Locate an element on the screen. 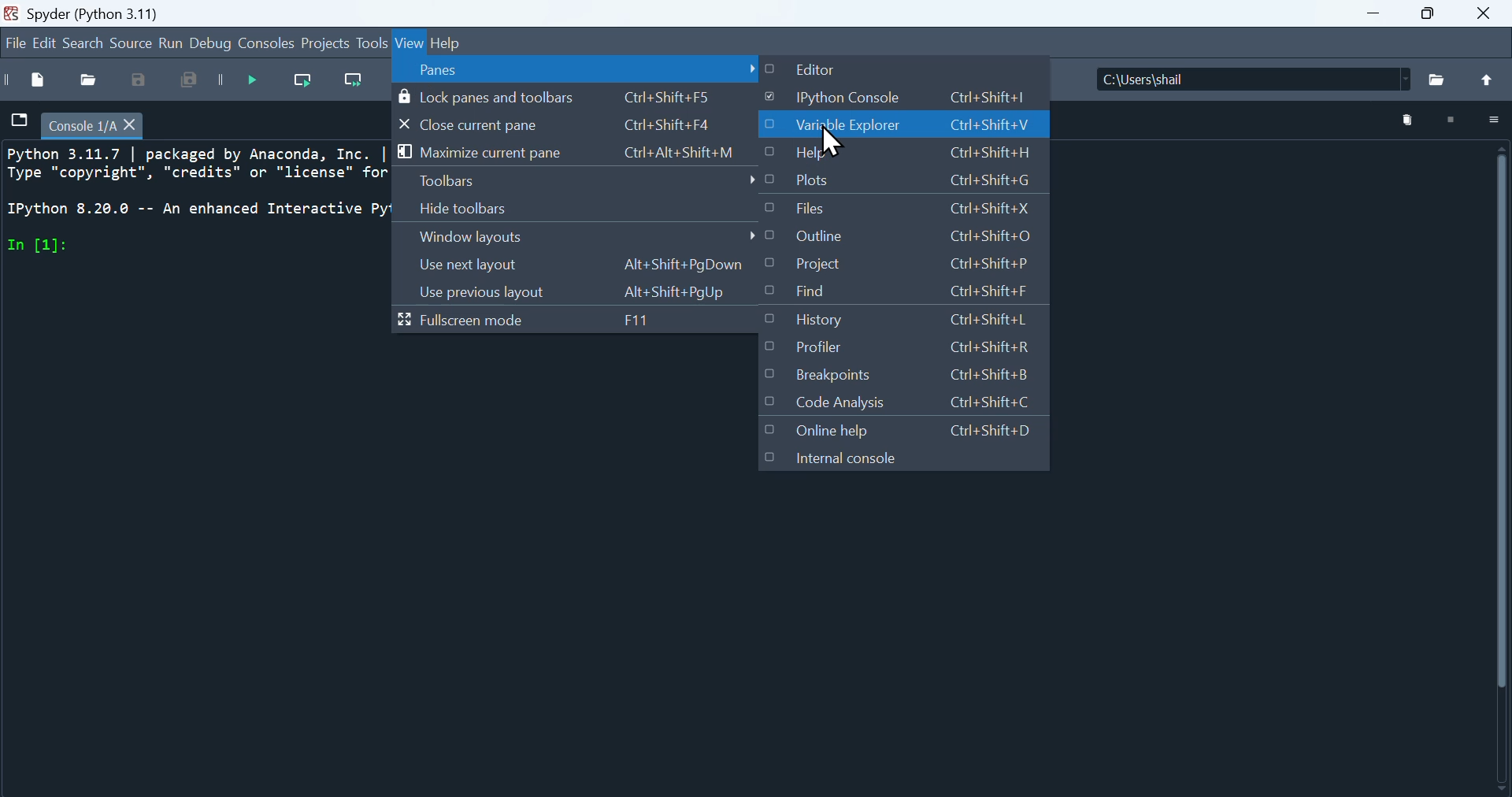 This screenshot has width=1512, height=797. Vertical scroll bar is located at coordinates (1493, 472).